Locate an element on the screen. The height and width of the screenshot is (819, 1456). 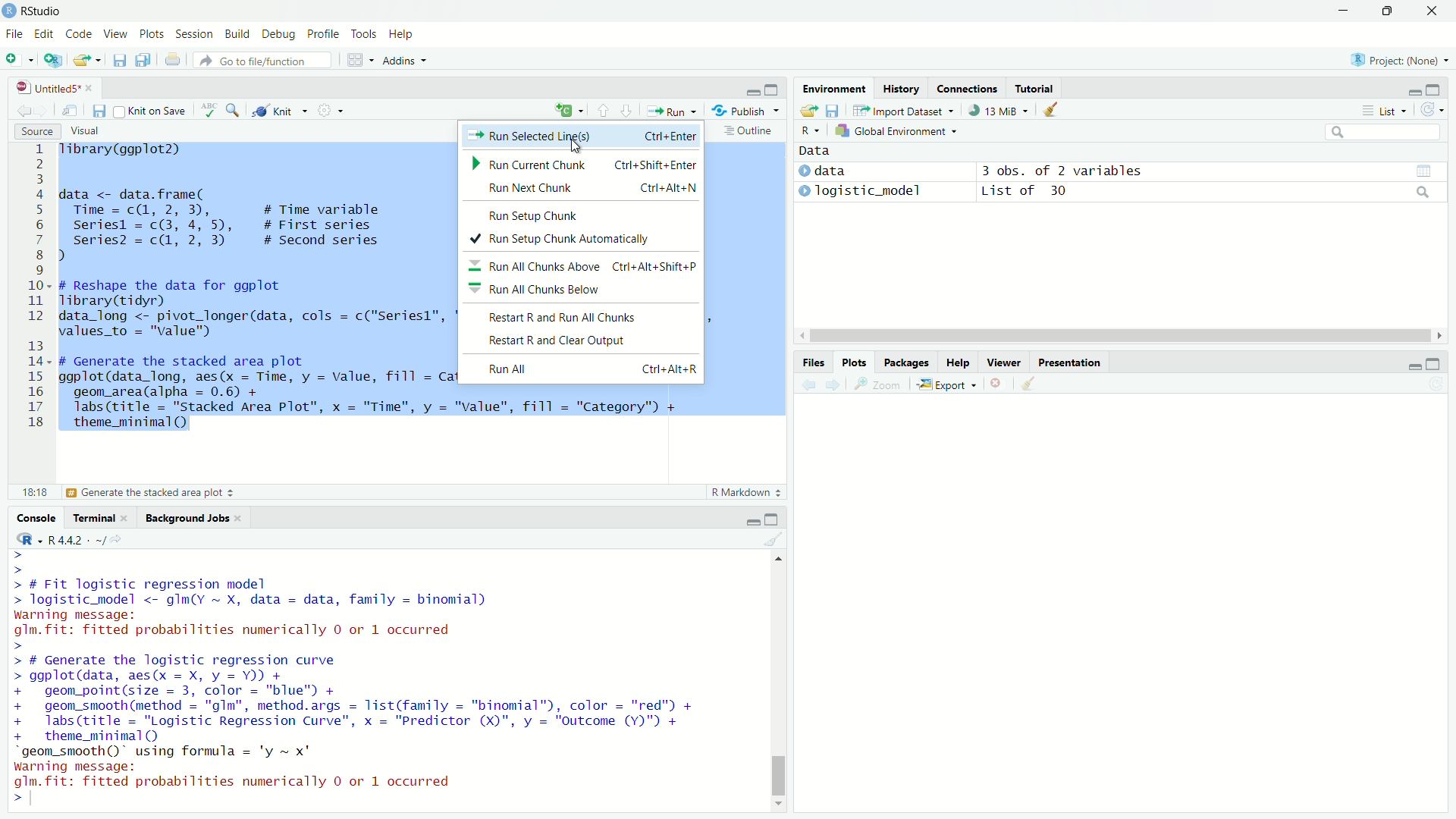
History is located at coordinates (899, 86).